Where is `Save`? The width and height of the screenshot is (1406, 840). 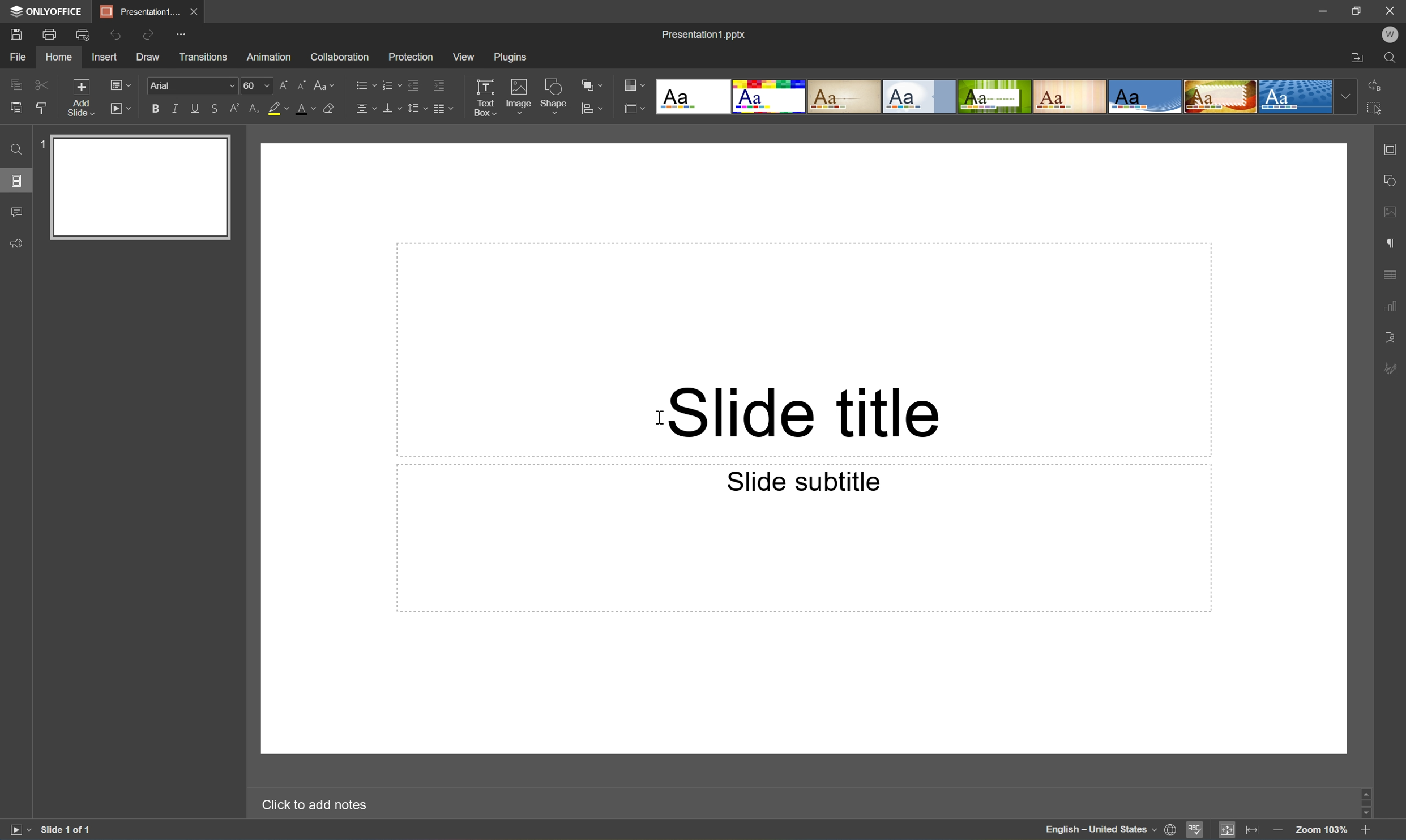 Save is located at coordinates (17, 34).